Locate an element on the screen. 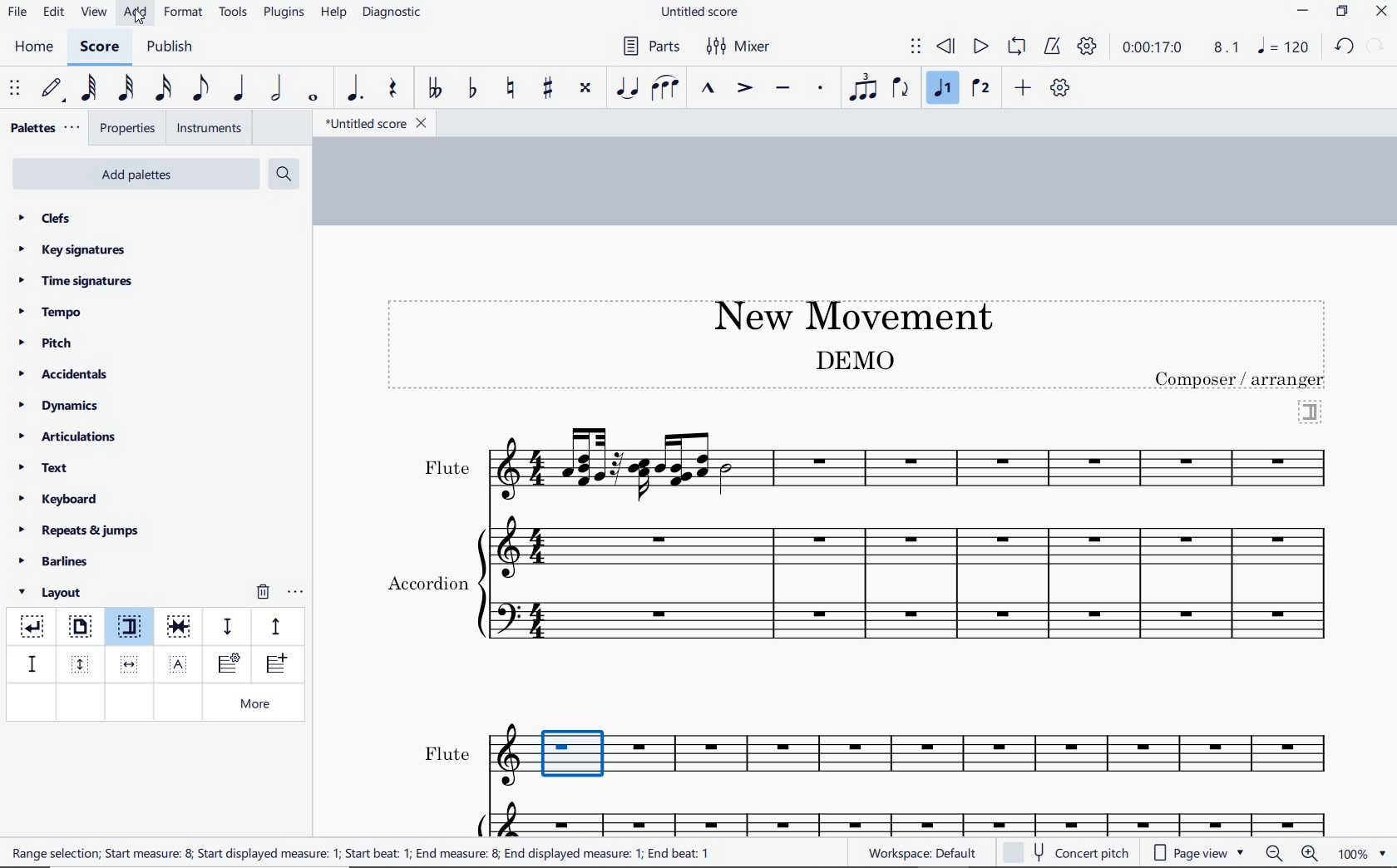 This screenshot has width=1397, height=868. whole note is located at coordinates (314, 97).